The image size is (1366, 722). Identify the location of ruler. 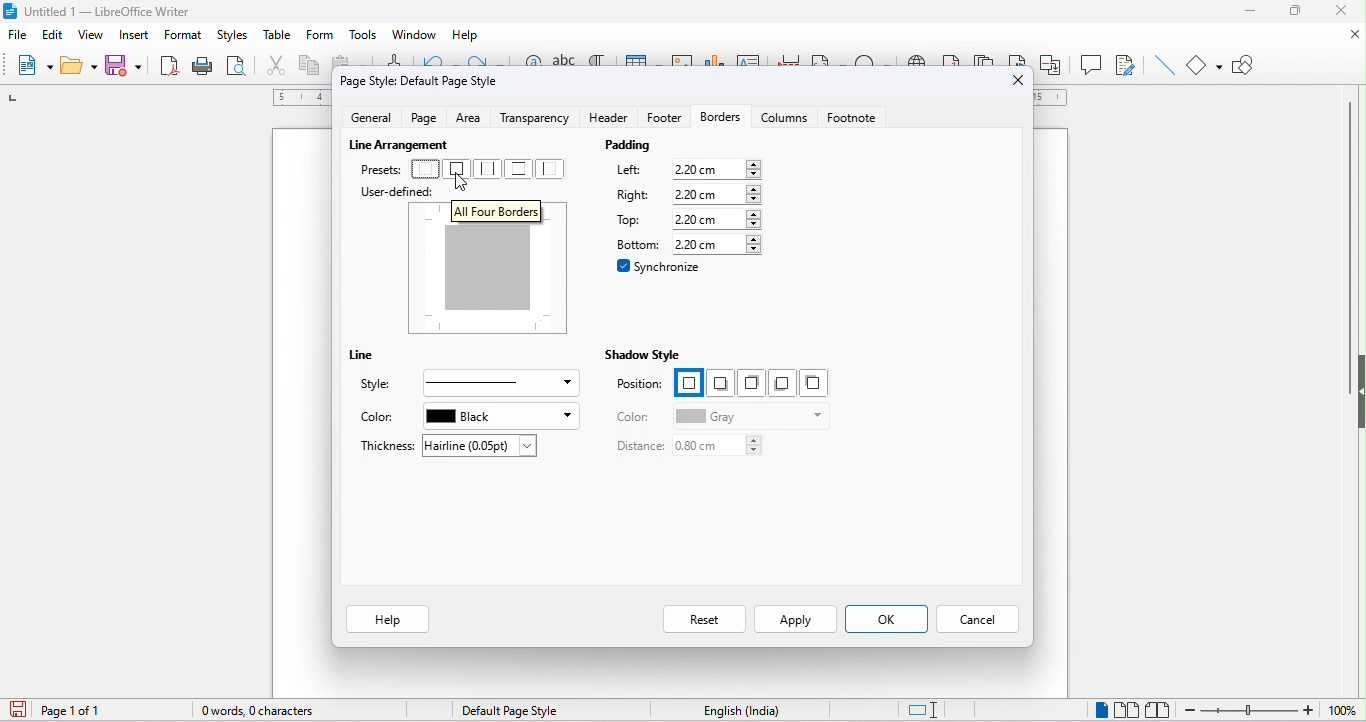
(299, 97).